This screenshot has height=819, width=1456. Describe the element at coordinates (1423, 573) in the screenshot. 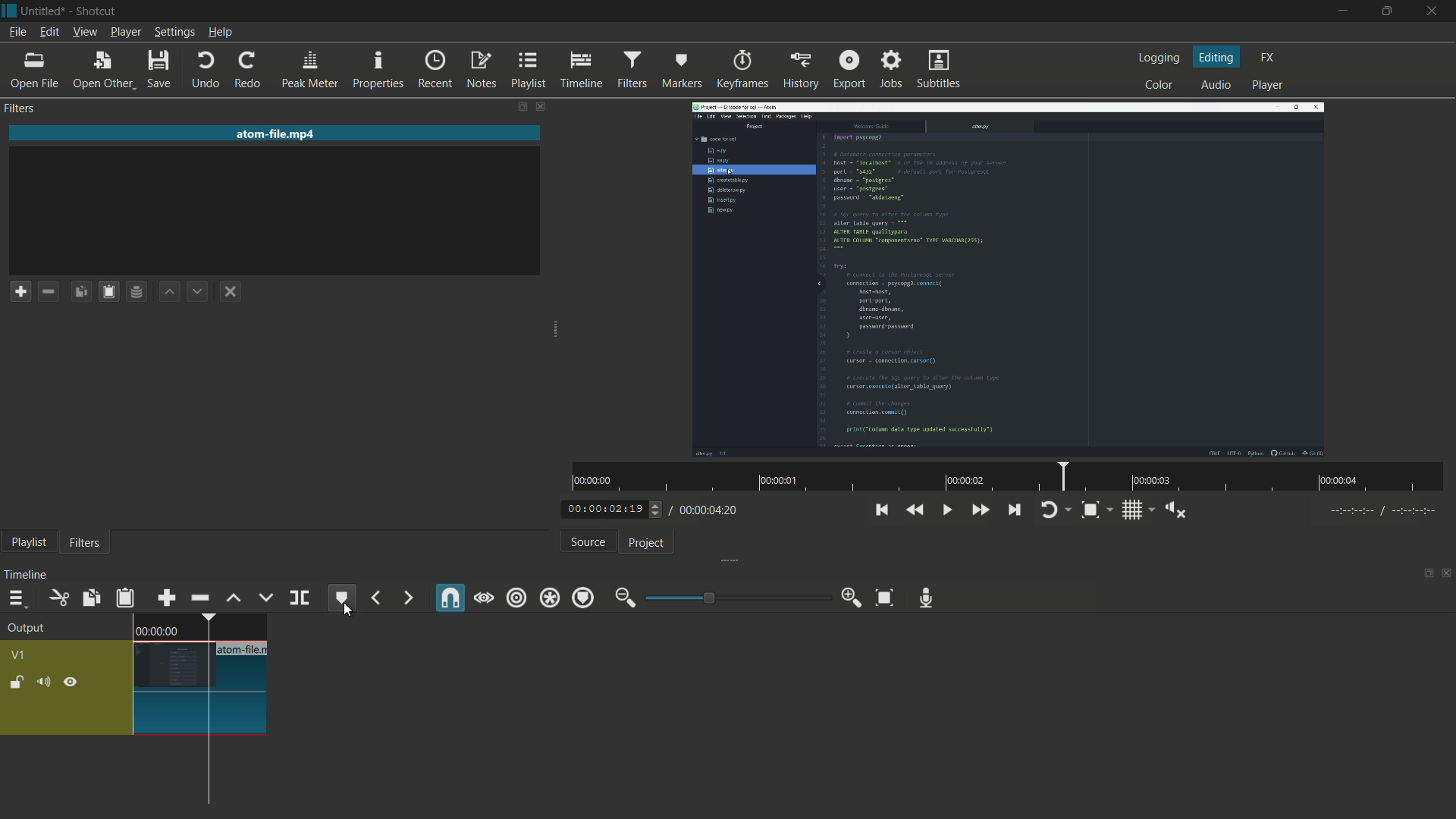

I see `change layout` at that location.